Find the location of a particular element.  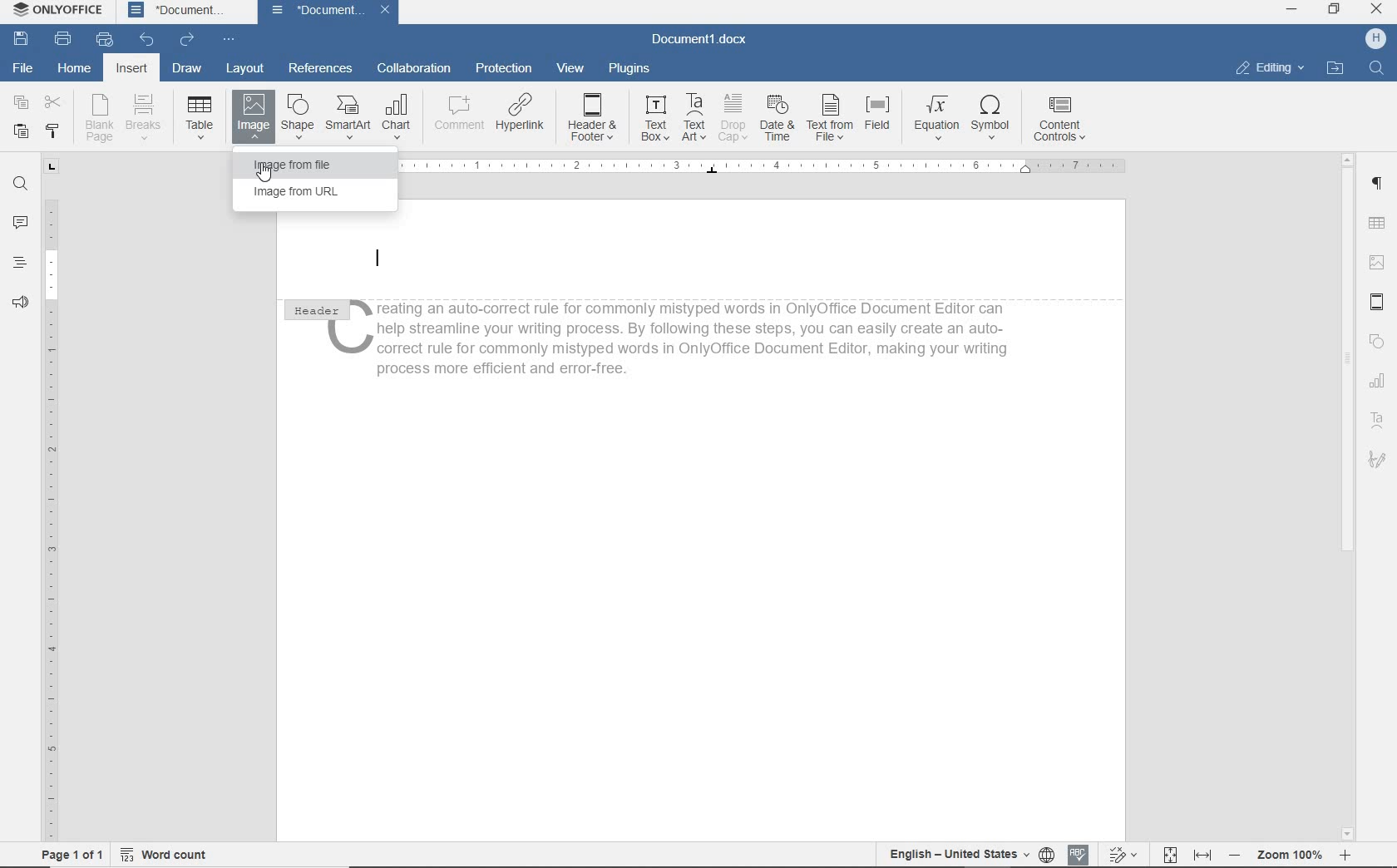

INSERT is located at coordinates (131, 69).